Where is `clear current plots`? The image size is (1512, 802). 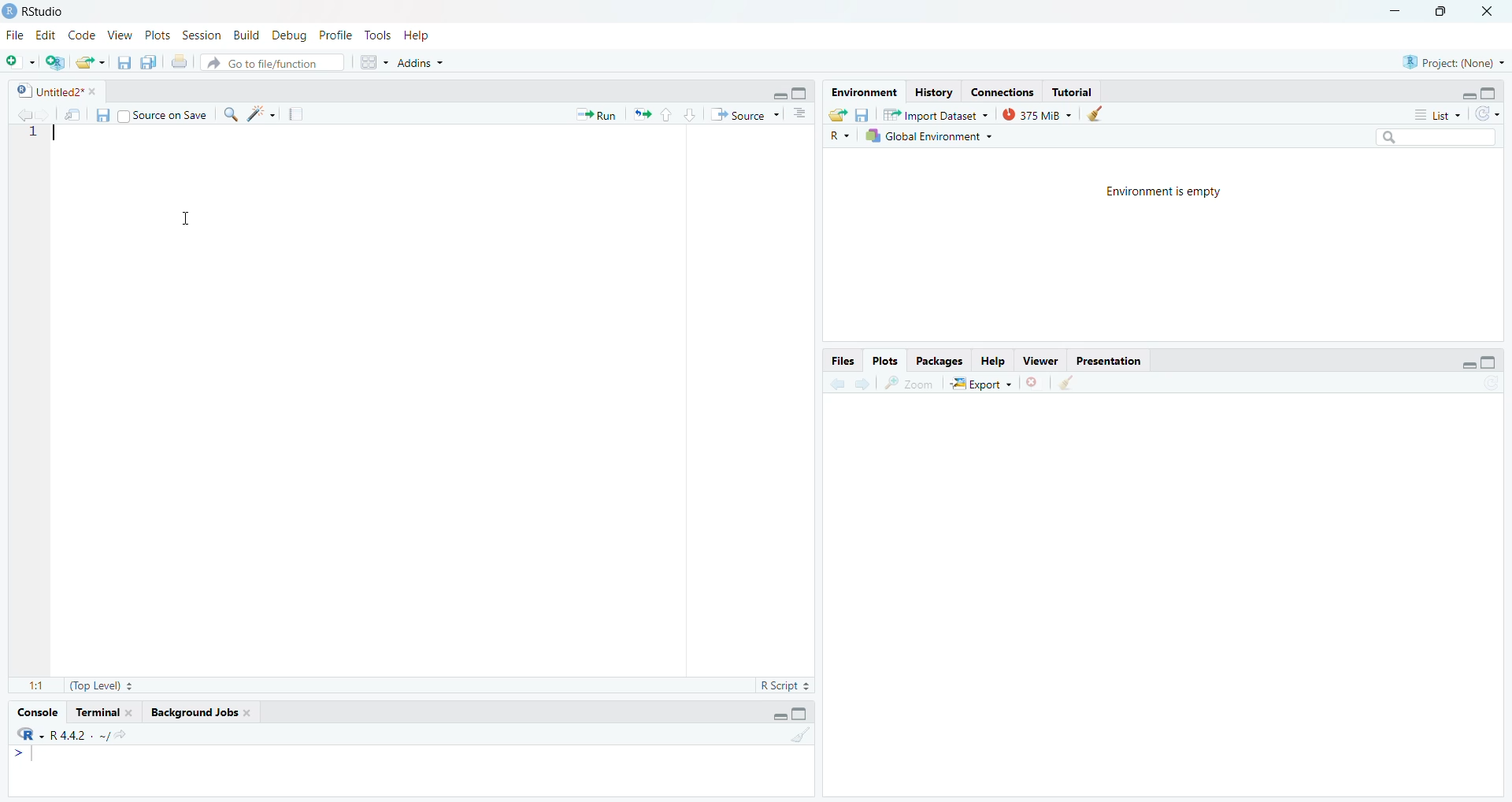
clear current plots is located at coordinates (1036, 382).